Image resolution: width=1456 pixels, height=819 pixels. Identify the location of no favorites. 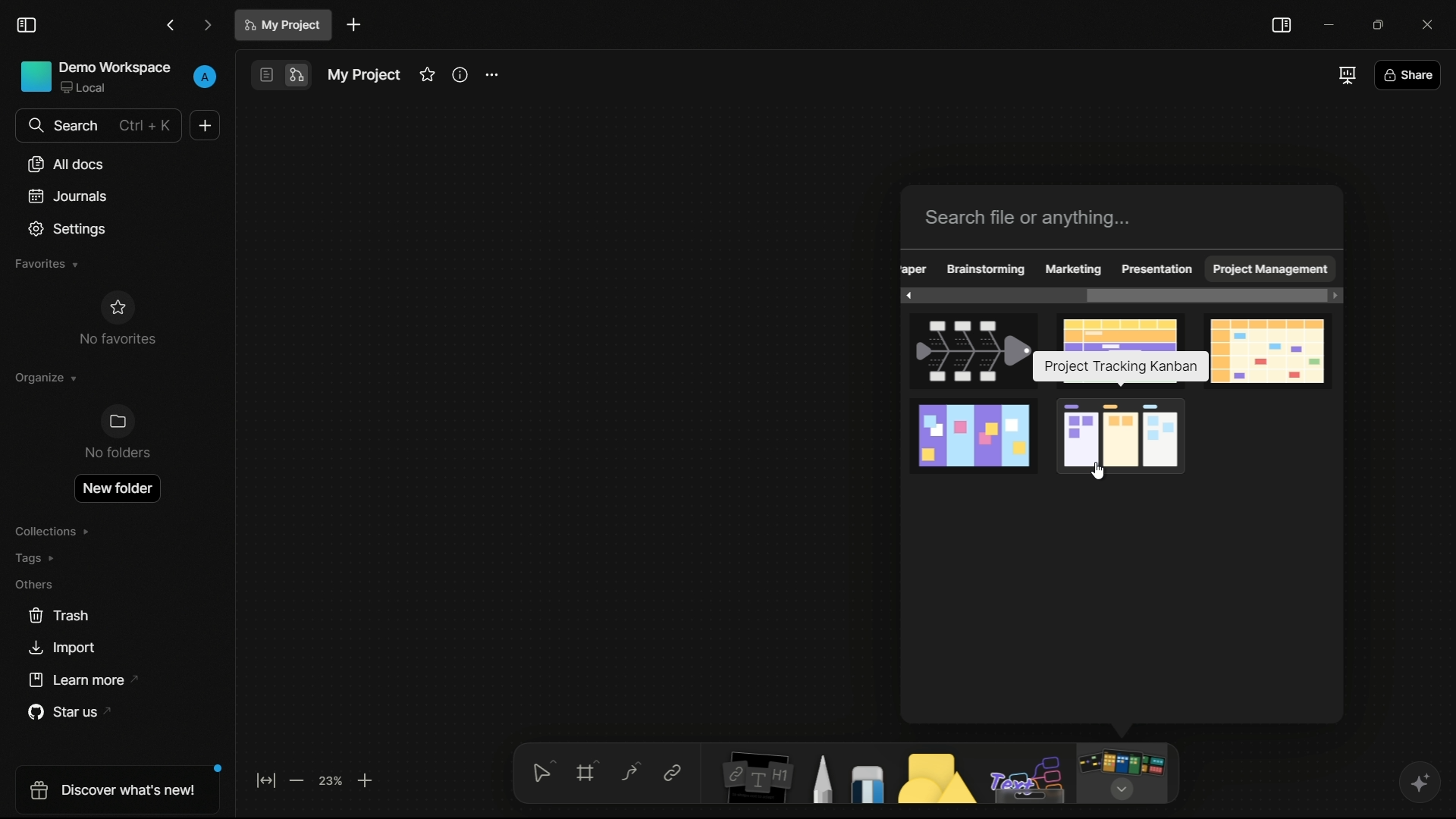
(116, 318).